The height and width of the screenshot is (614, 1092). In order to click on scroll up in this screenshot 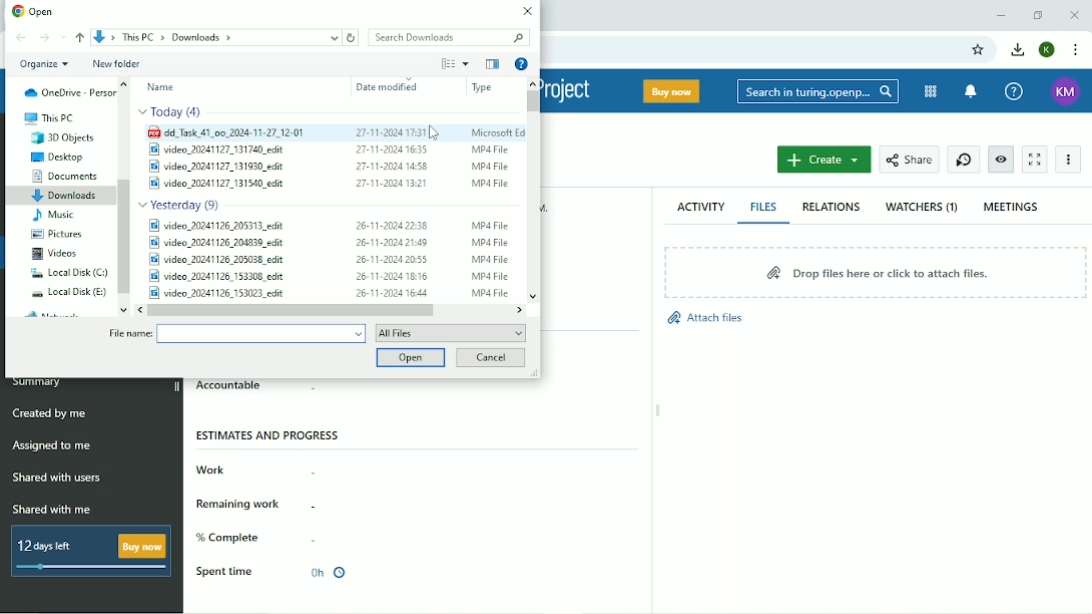, I will do `click(533, 82)`.